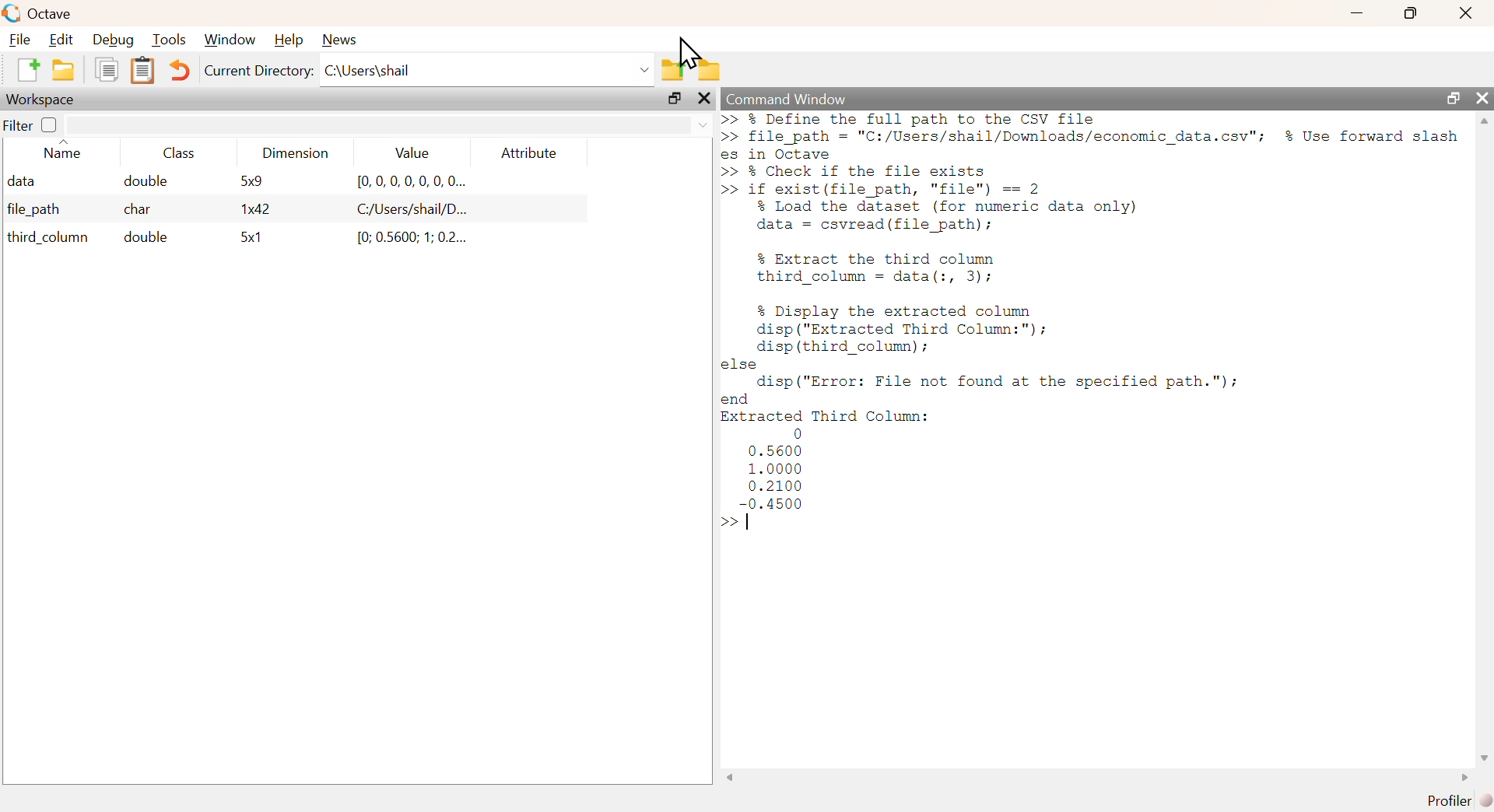 The image size is (1494, 812). I want to click on profiler, so click(1454, 801).